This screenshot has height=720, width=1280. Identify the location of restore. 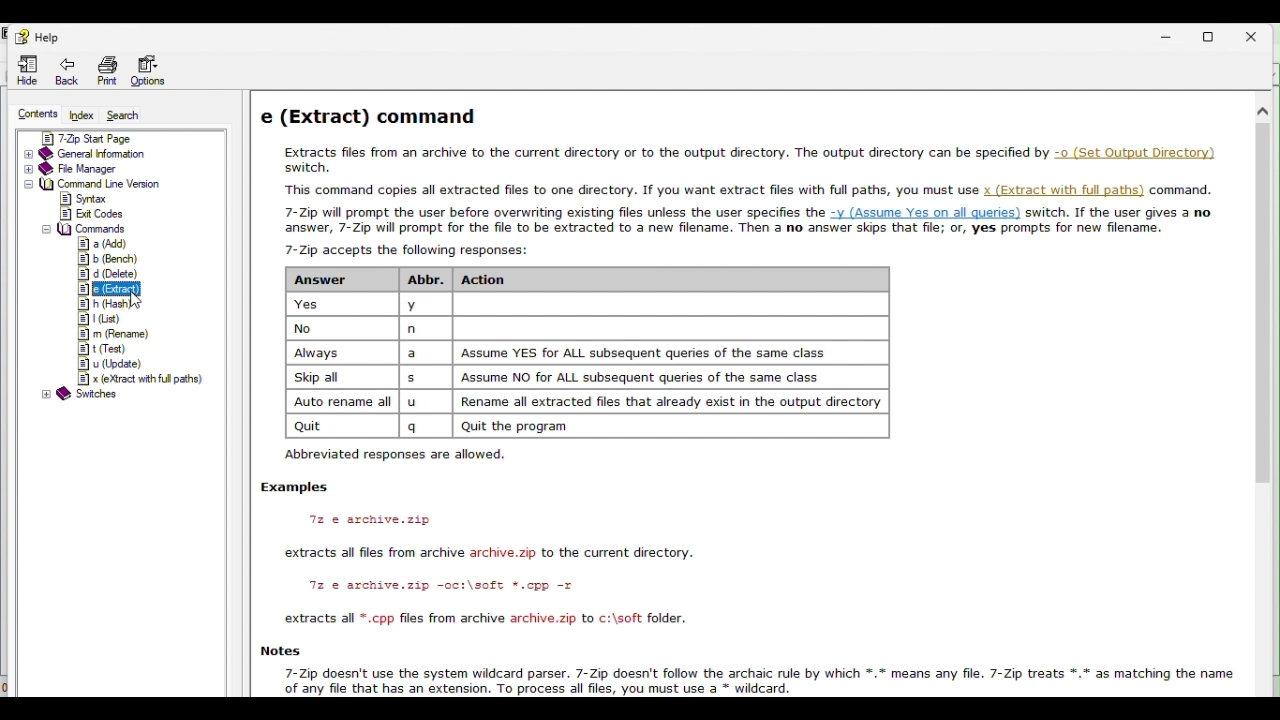
(1215, 34).